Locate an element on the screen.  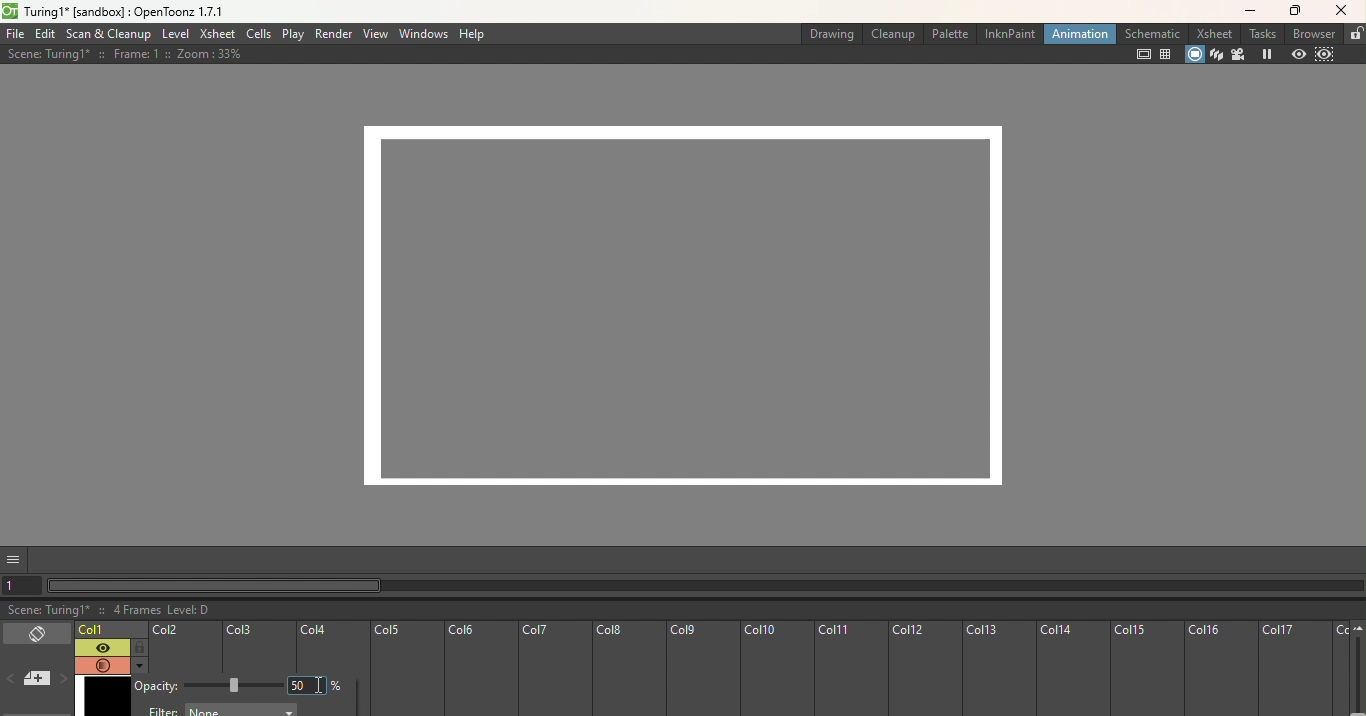
3d View is located at coordinates (1216, 54).